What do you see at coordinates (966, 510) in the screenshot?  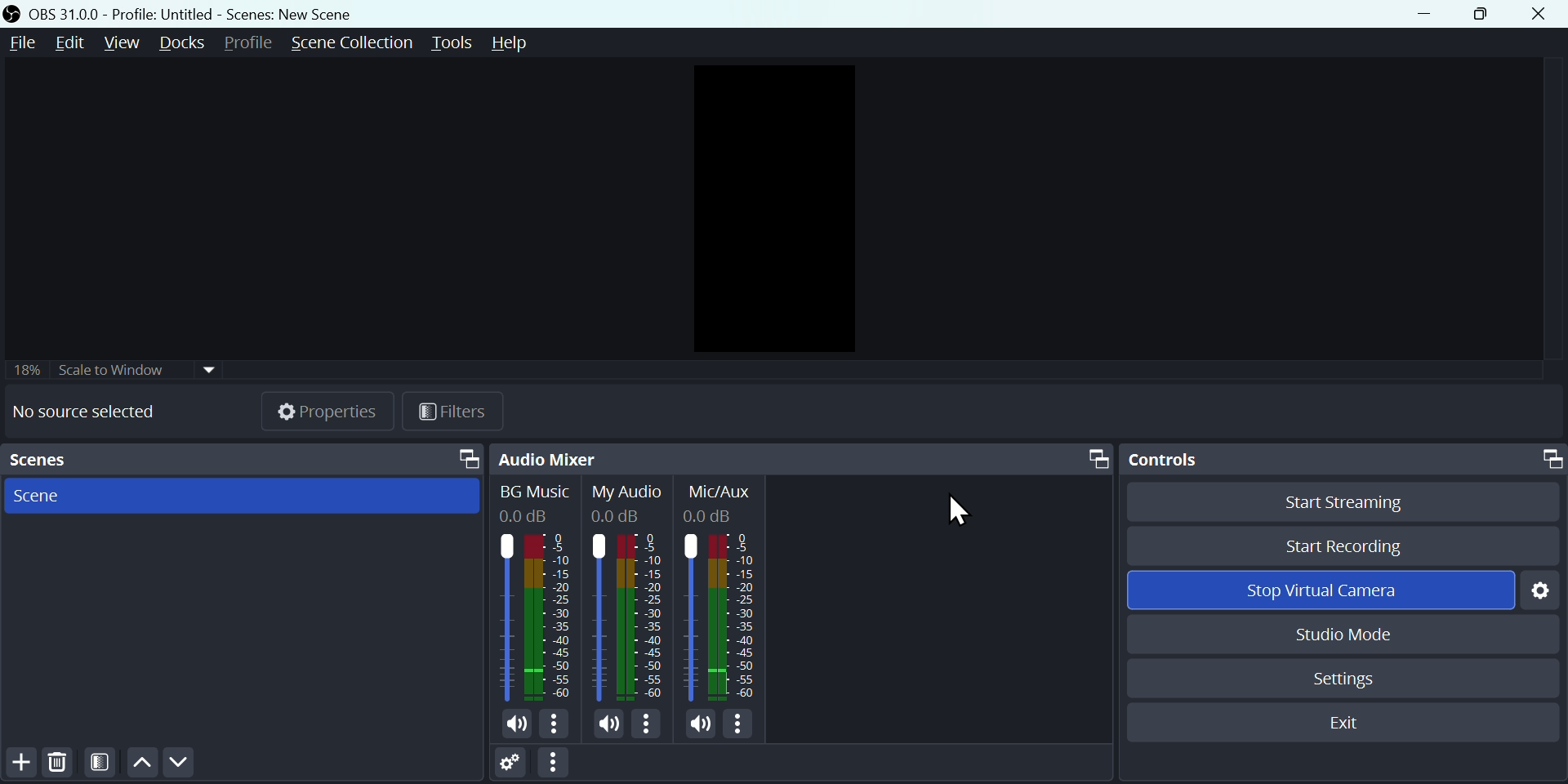 I see `Cursor` at bounding box center [966, 510].